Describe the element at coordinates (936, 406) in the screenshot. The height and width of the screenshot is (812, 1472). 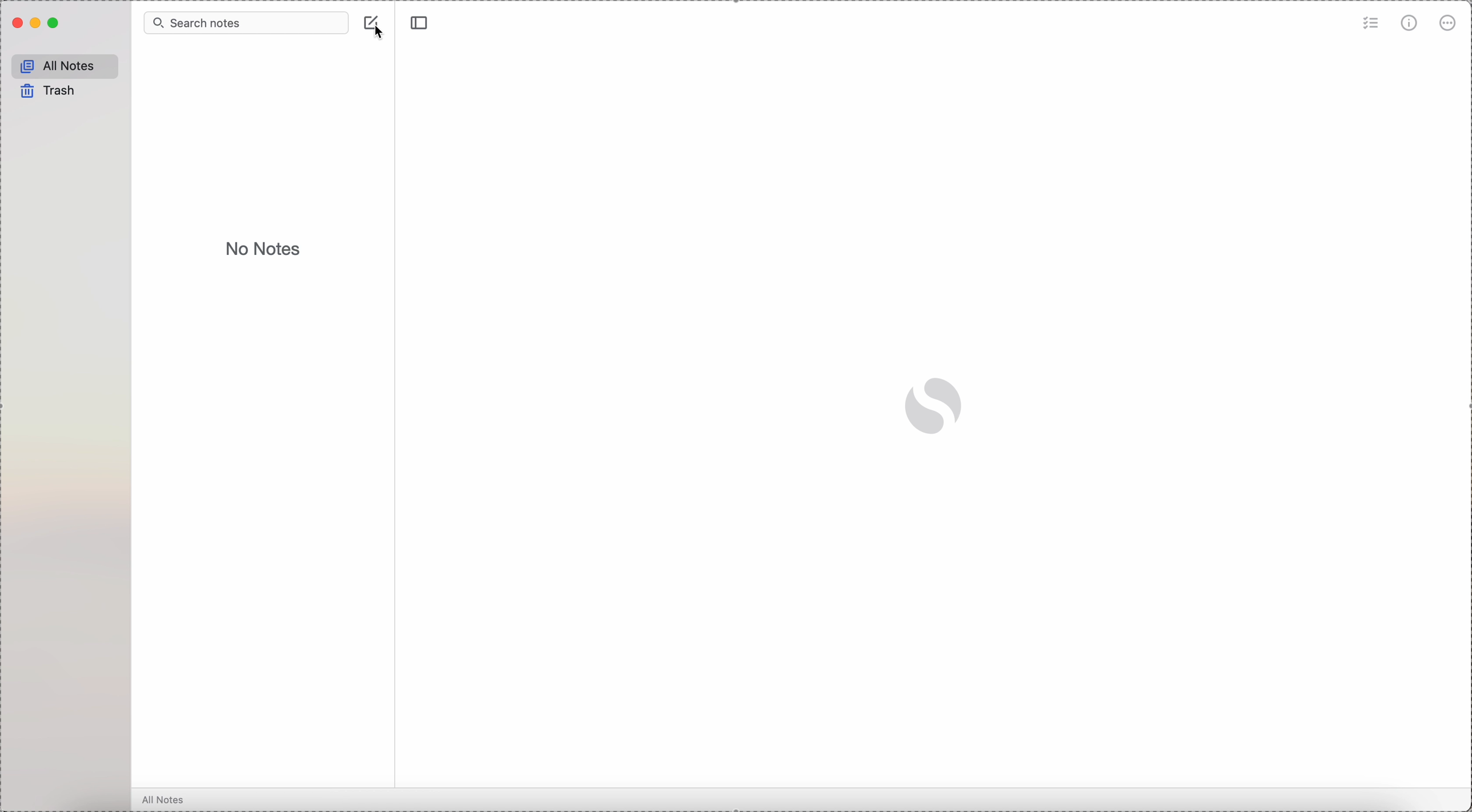
I see `Simplenote logo` at that location.